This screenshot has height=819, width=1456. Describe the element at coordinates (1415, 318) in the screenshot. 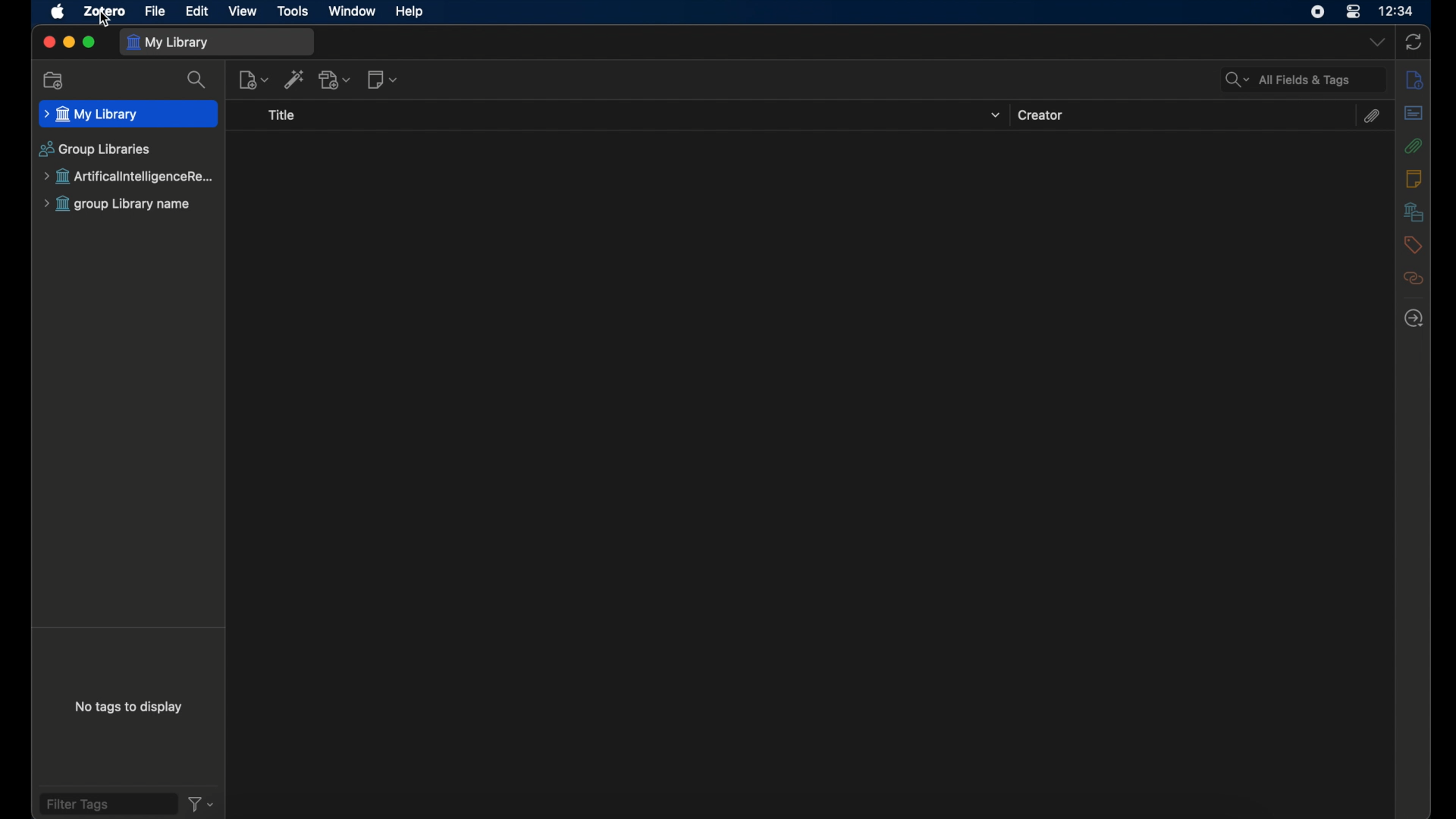

I see `locate` at that location.